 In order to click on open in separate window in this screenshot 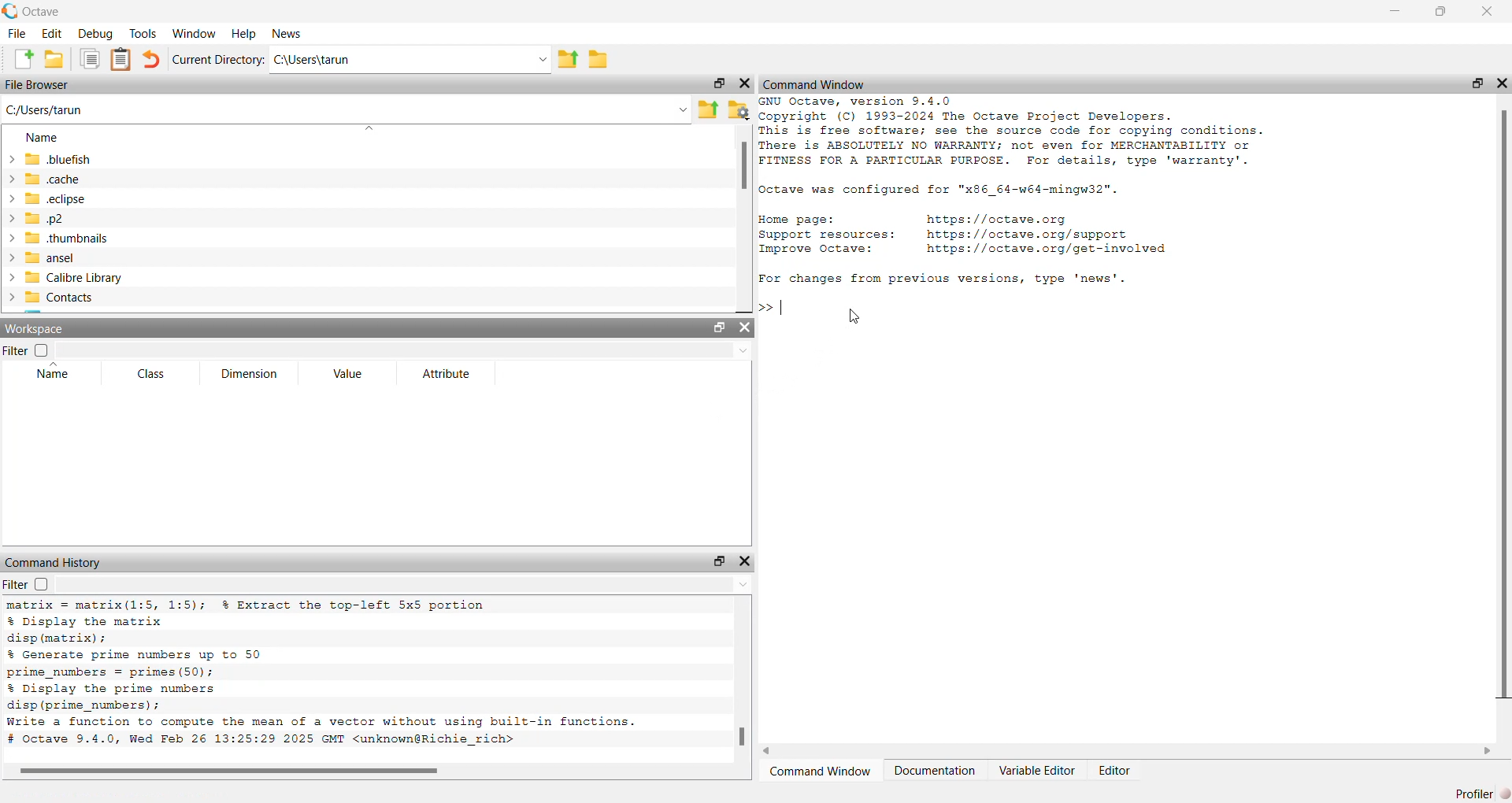, I will do `click(718, 327)`.